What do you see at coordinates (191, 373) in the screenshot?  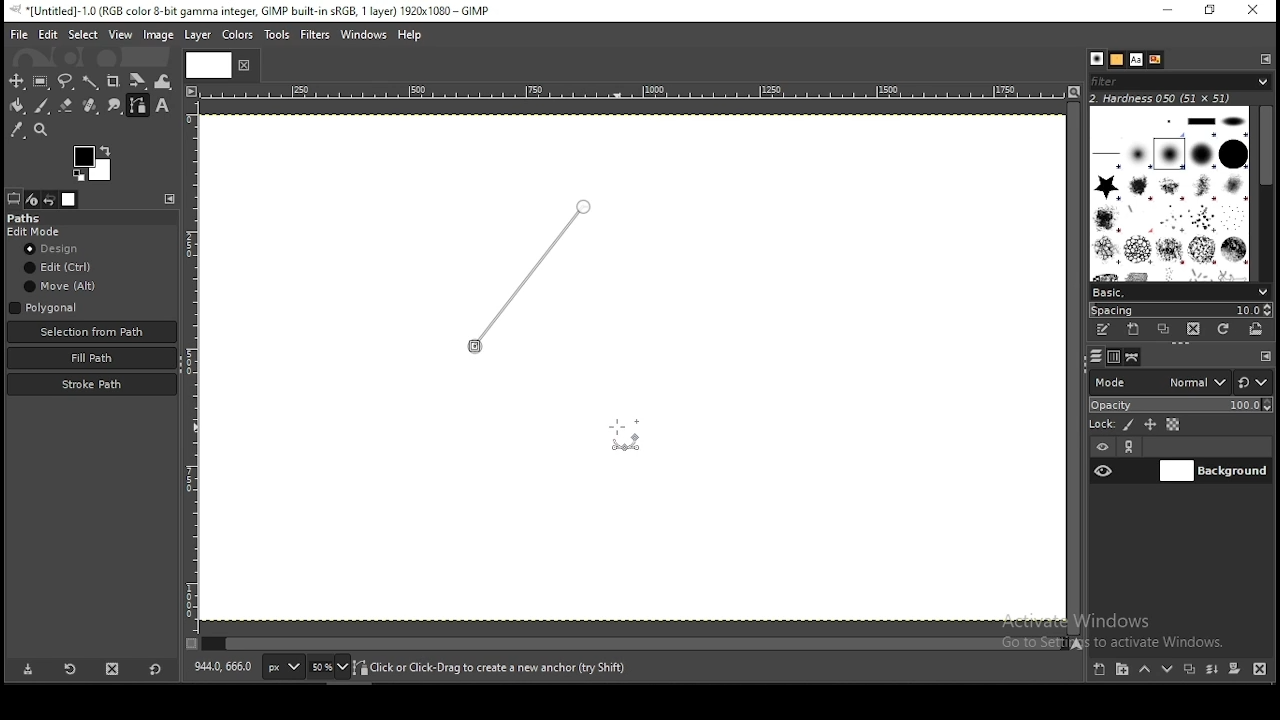 I see `vertical scale` at bounding box center [191, 373].